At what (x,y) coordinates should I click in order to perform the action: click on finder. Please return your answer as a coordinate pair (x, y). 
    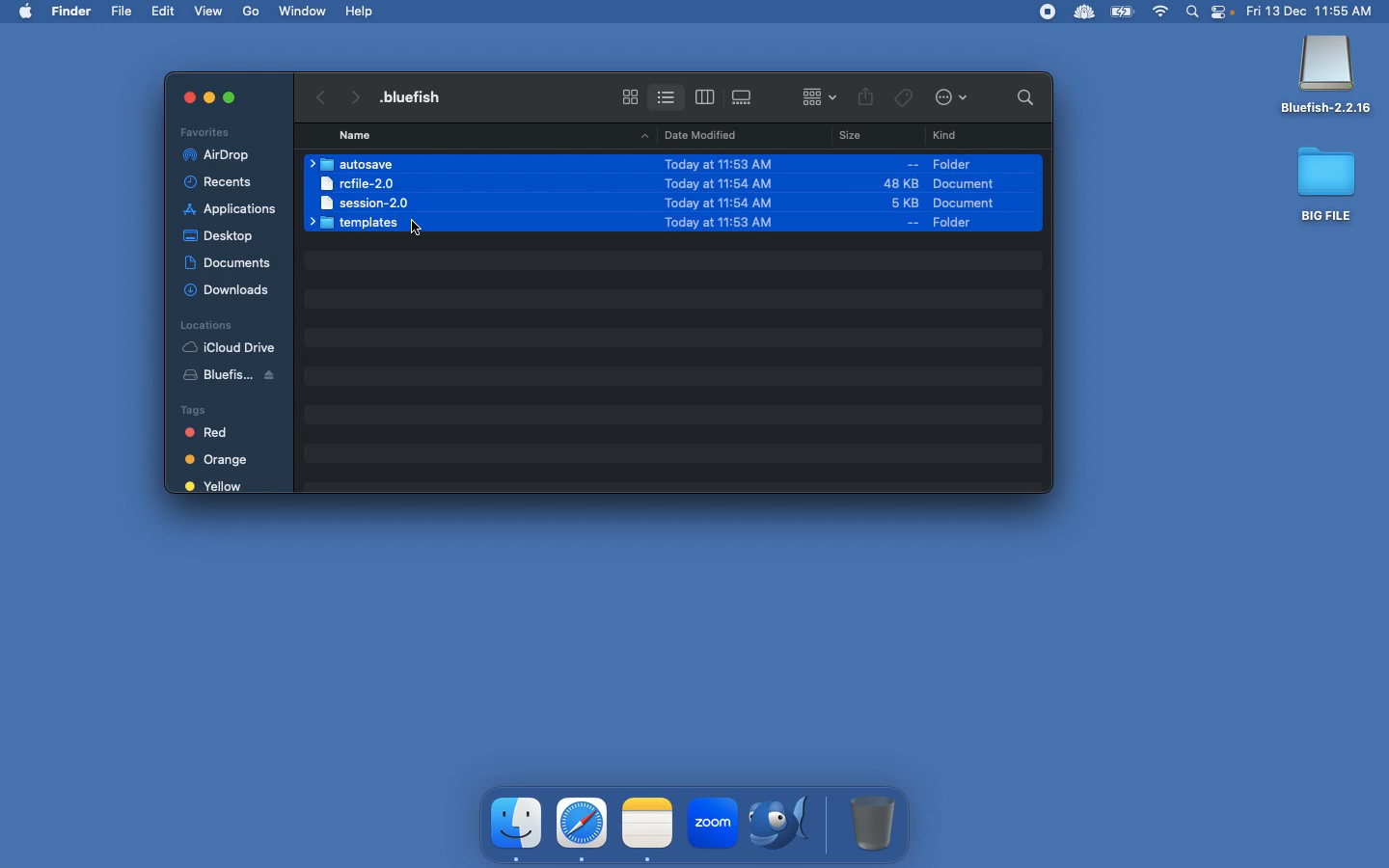
    Looking at the image, I should click on (518, 824).